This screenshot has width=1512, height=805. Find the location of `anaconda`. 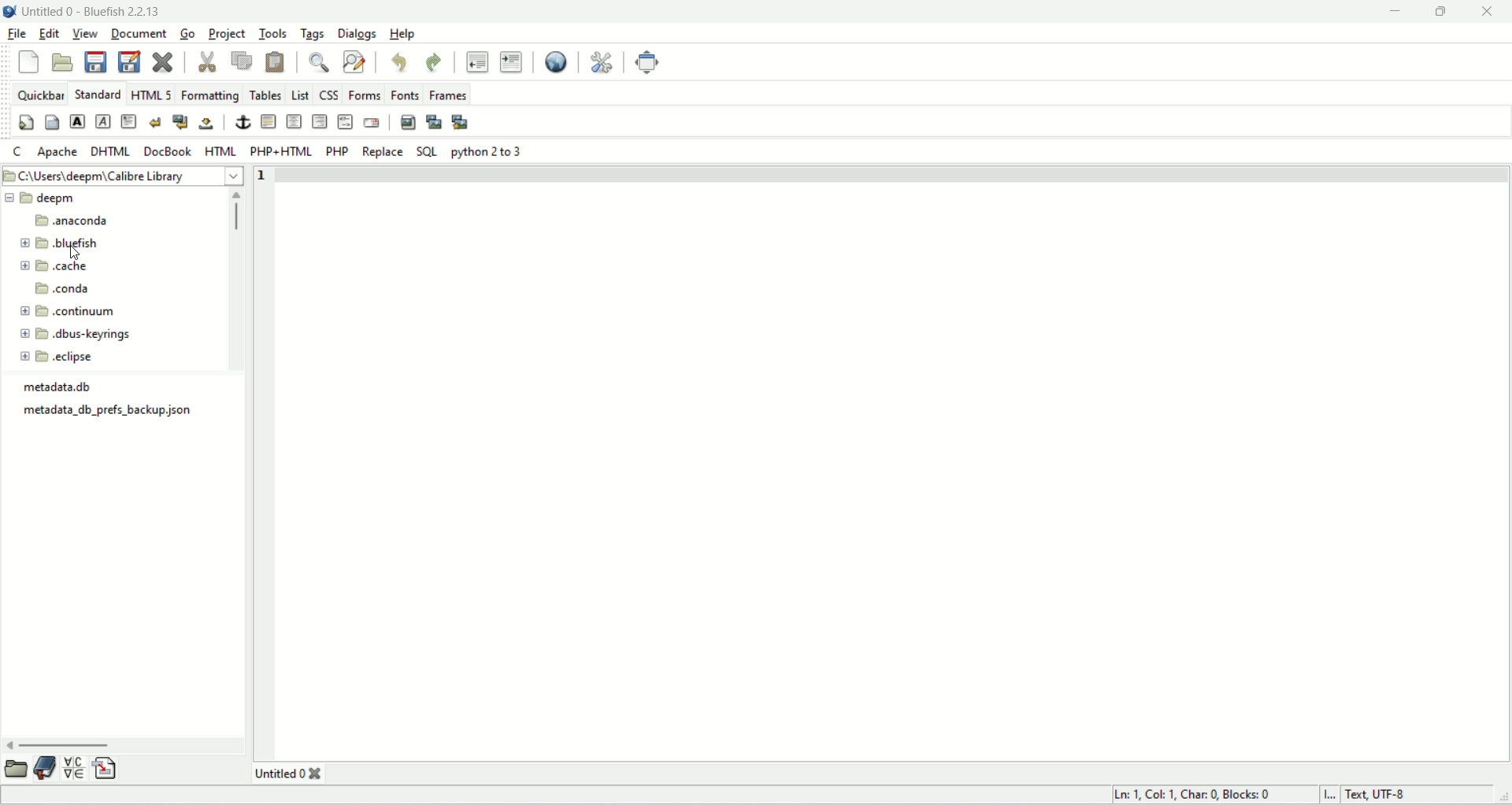

anaconda is located at coordinates (72, 221).